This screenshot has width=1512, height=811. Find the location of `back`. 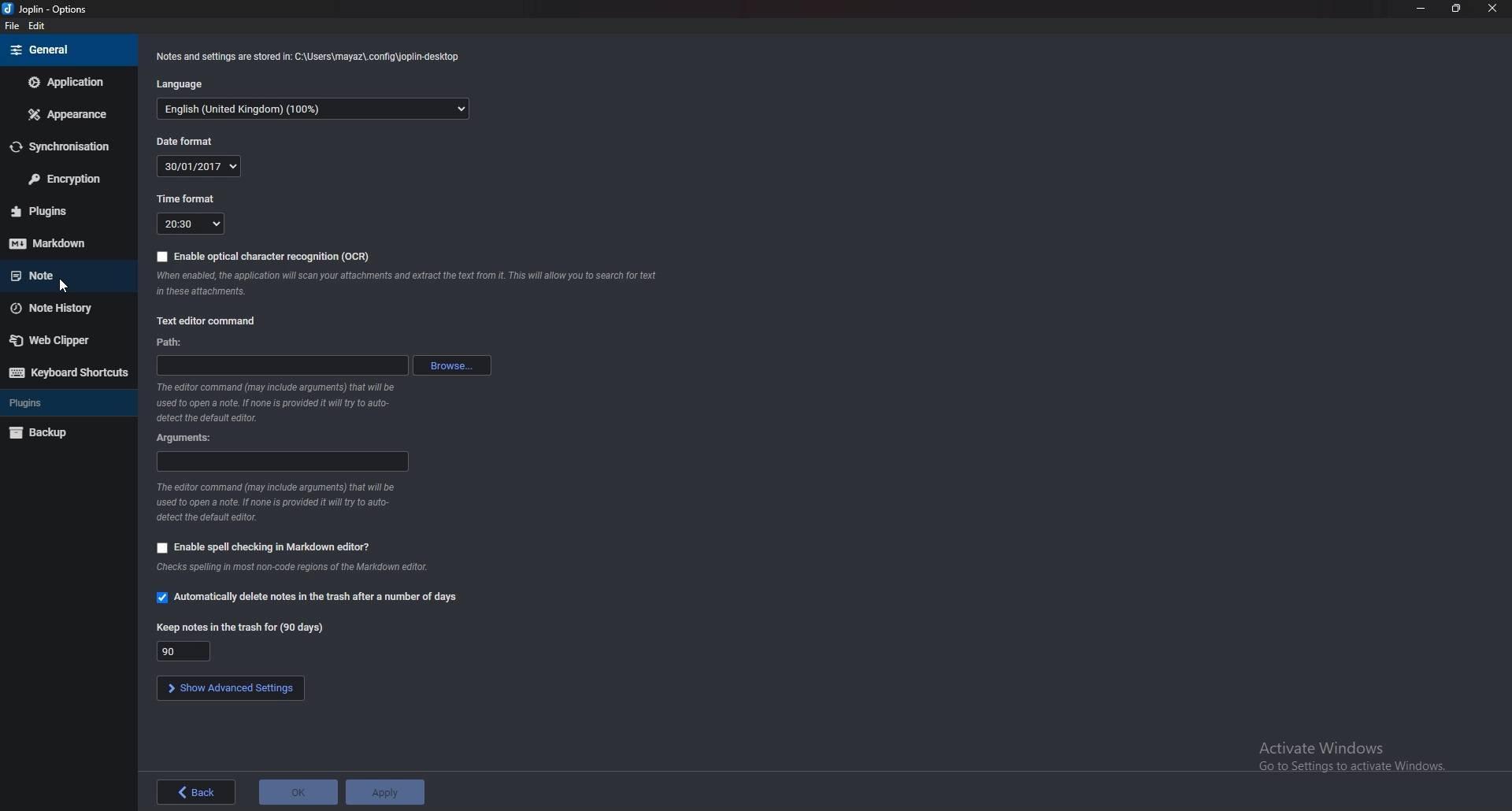

back is located at coordinates (196, 791).